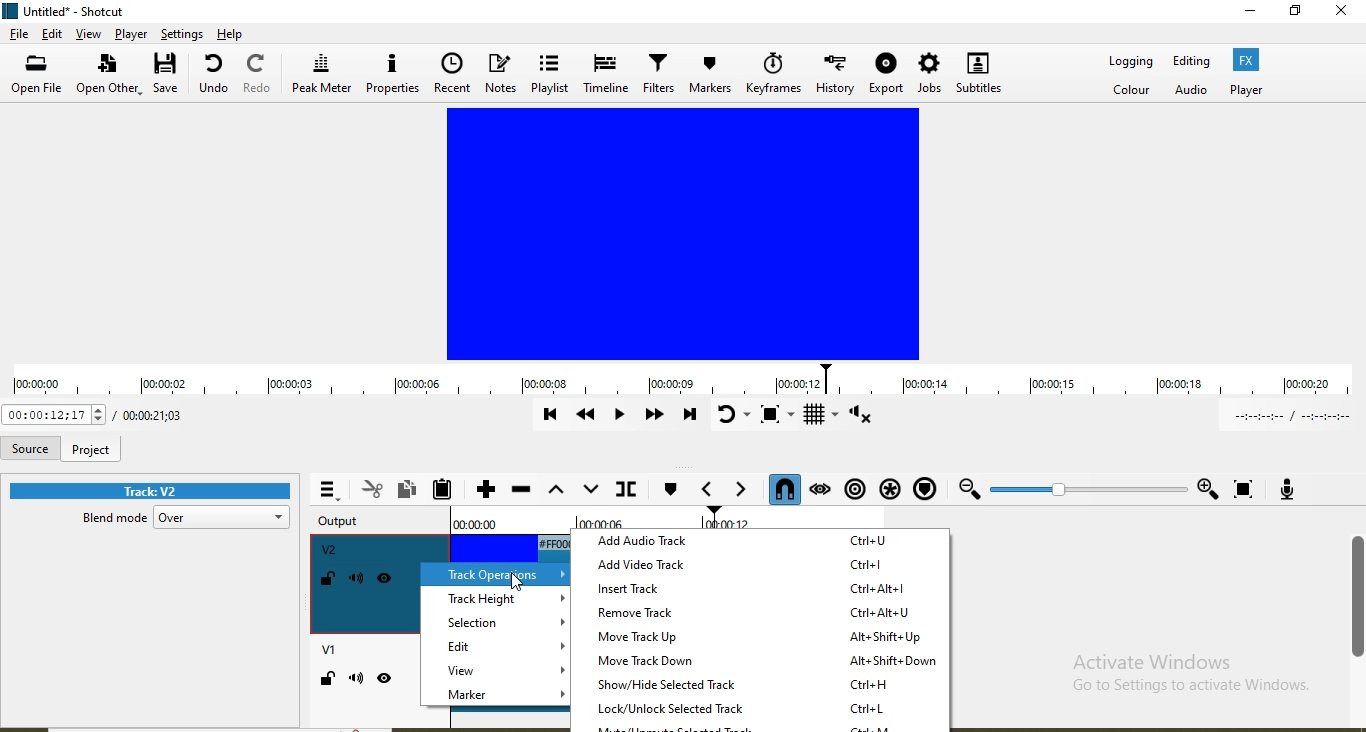 The width and height of the screenshot is (1366, 732). Describe the element at coordinates (591, 488) in the screenshot. I see `overwrite` at that location.